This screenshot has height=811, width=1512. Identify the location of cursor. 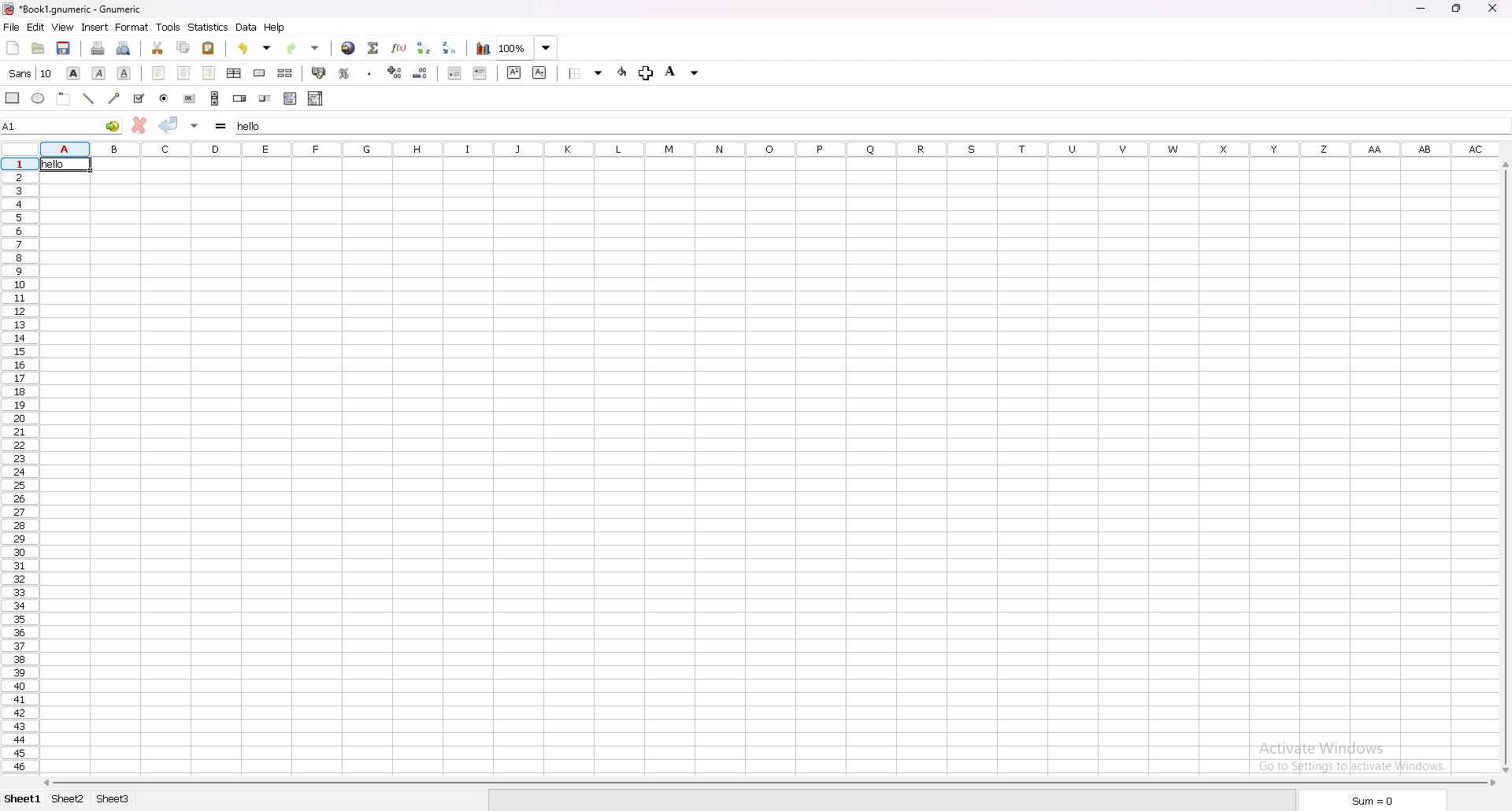
(646, 73).